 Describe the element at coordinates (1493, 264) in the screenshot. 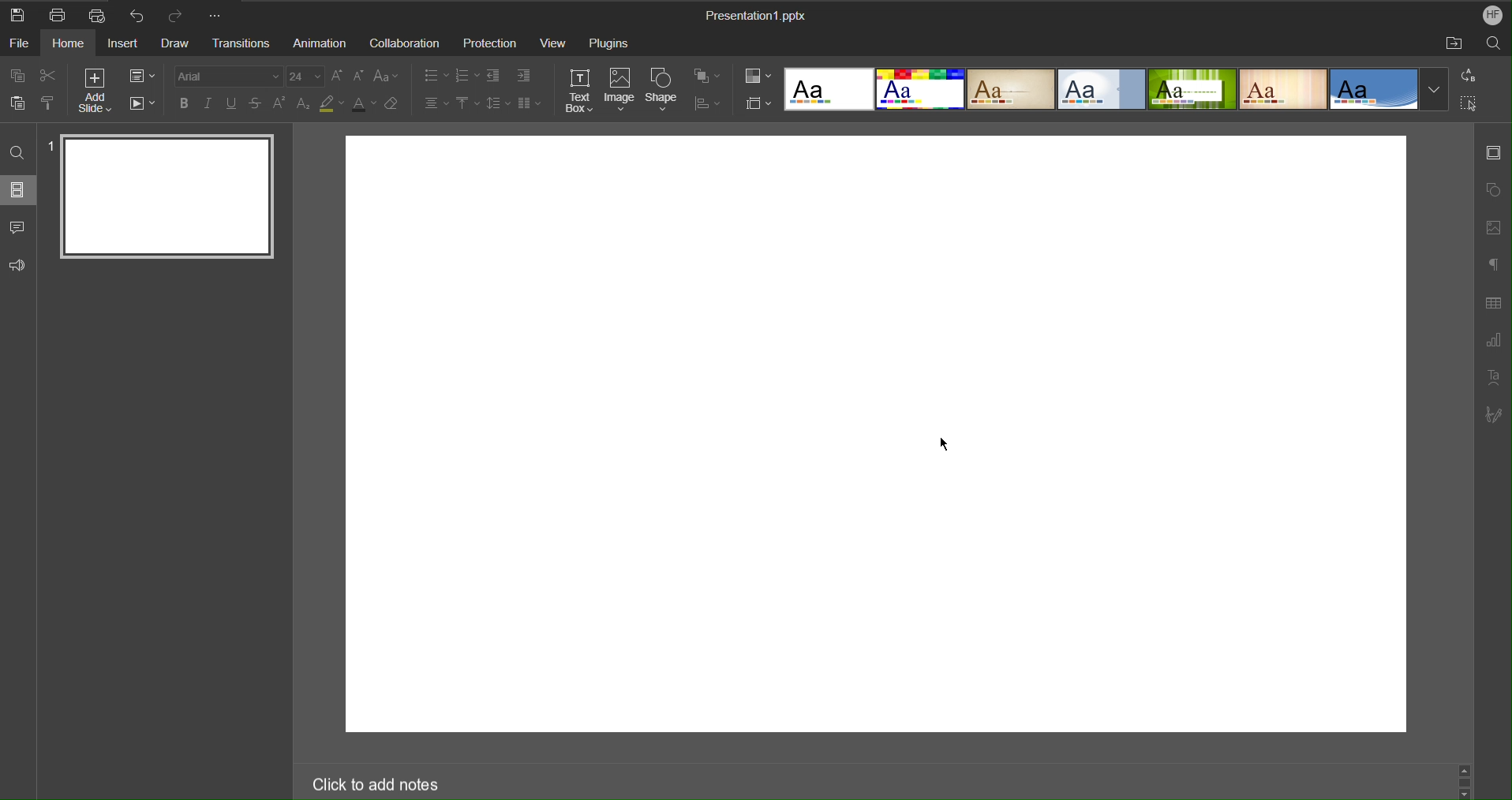

I see `Paragraph Settings` at that location.